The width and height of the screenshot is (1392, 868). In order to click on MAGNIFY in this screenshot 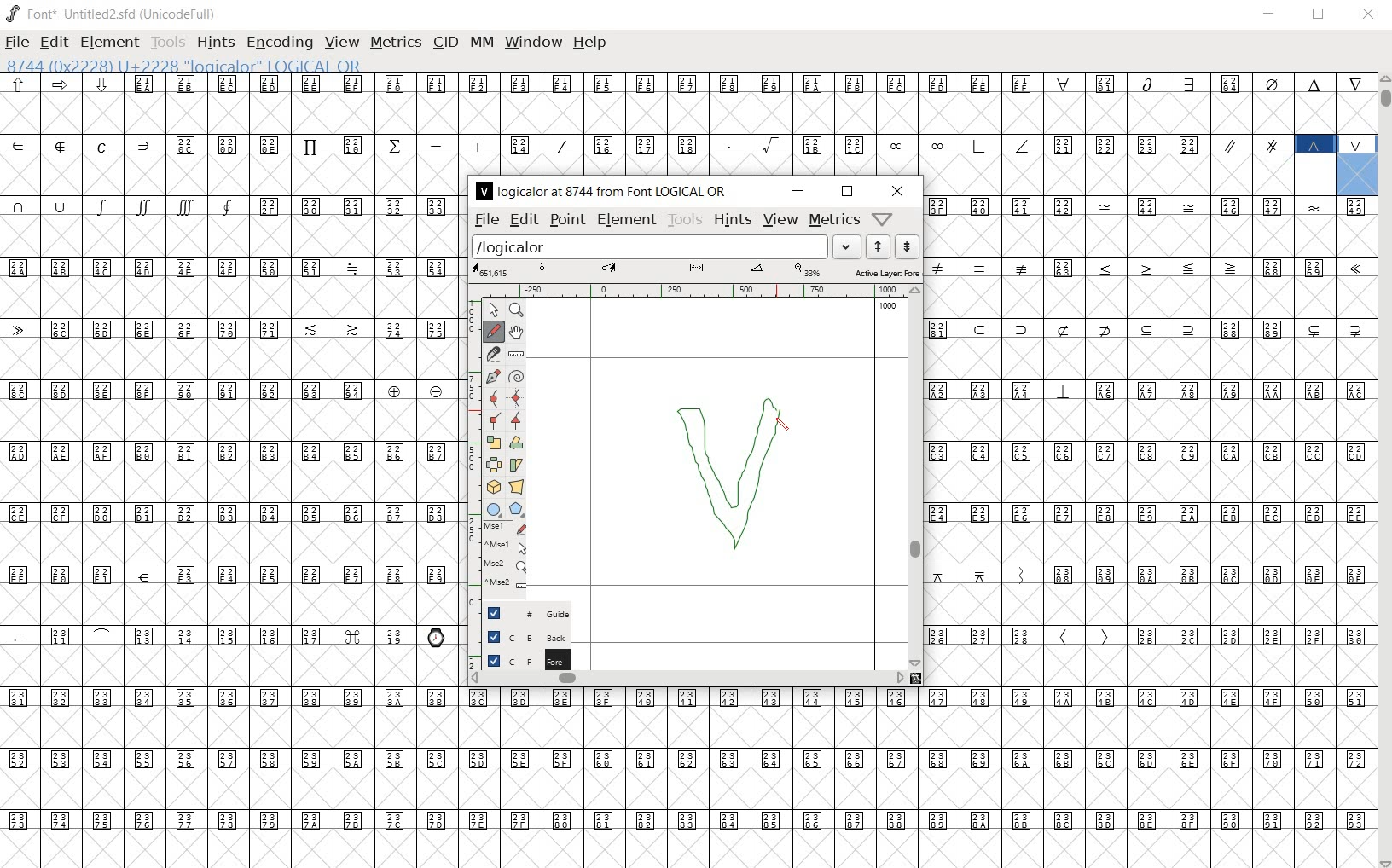, I will do `click(518, 310)`.